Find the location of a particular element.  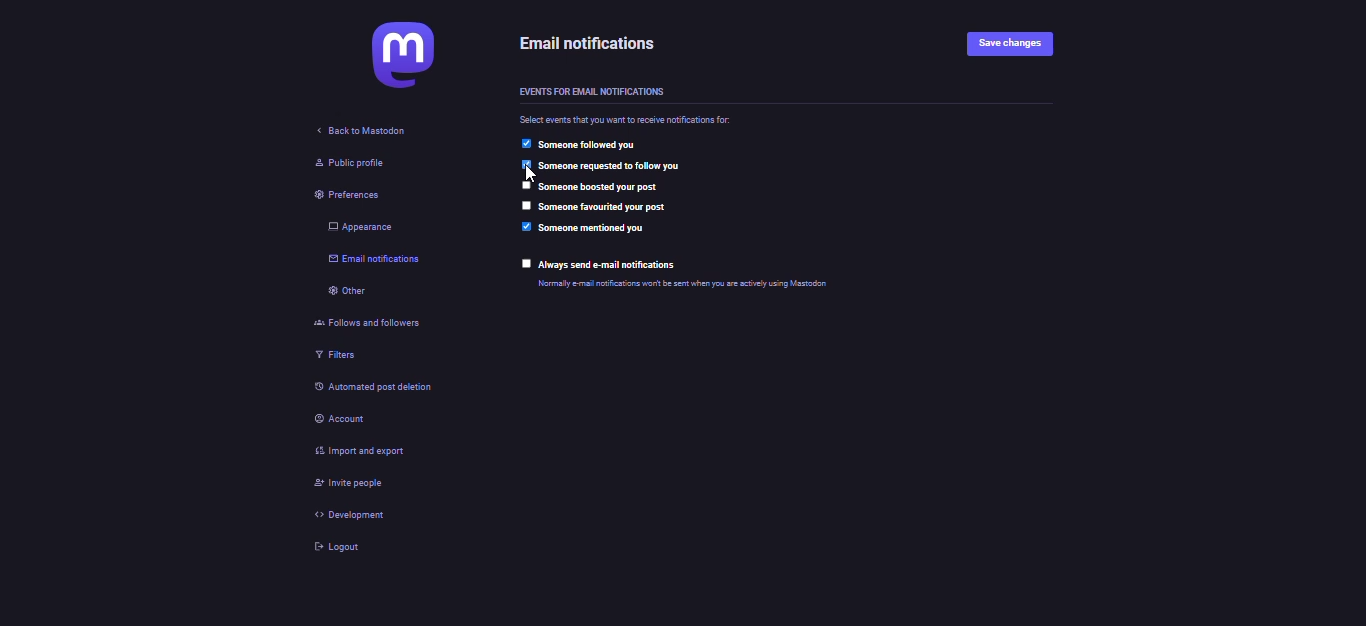

public profile is located at coordinates (338, 163).